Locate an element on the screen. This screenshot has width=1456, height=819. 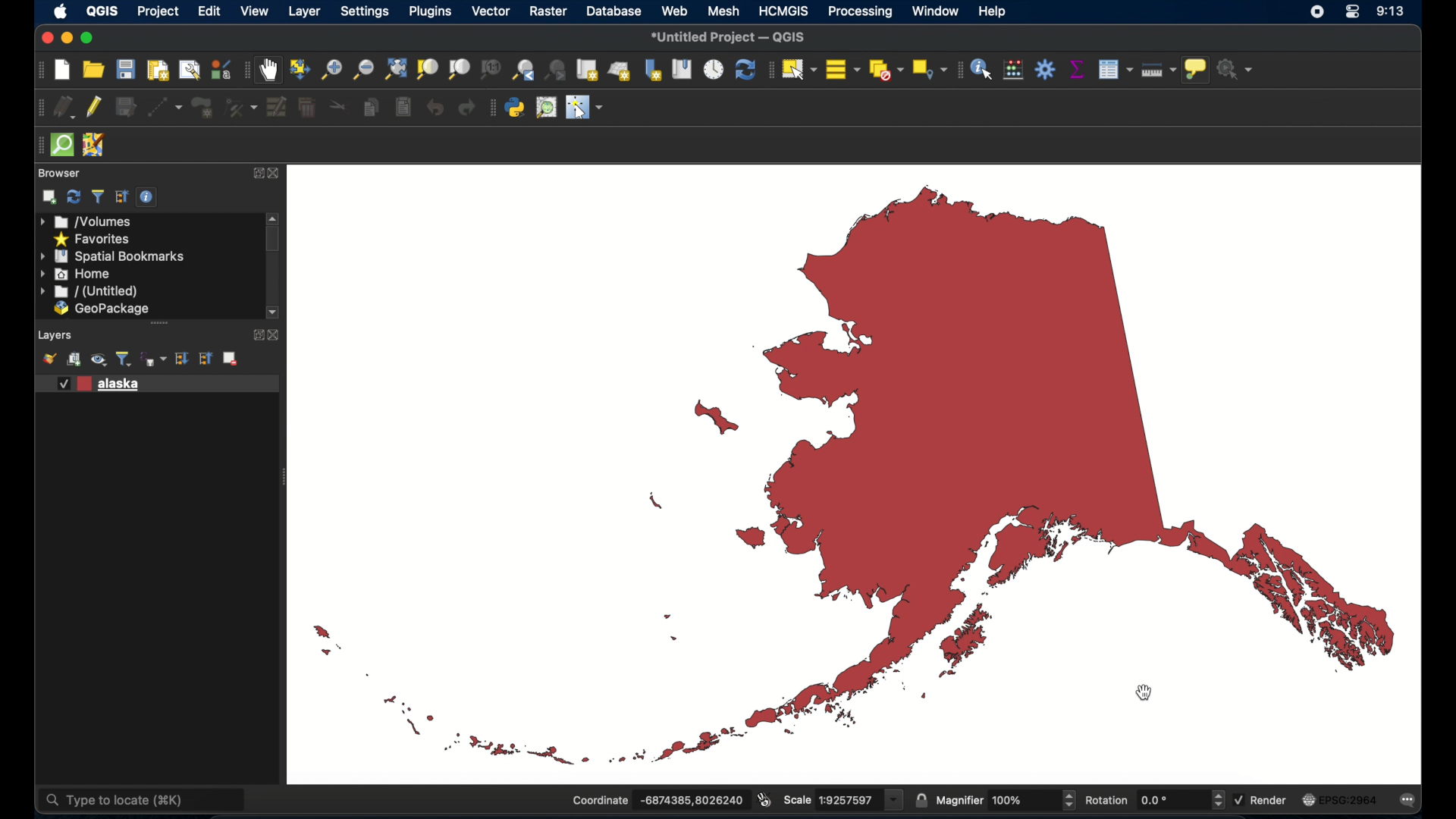
curent edits is located at coordinates (65, 107).